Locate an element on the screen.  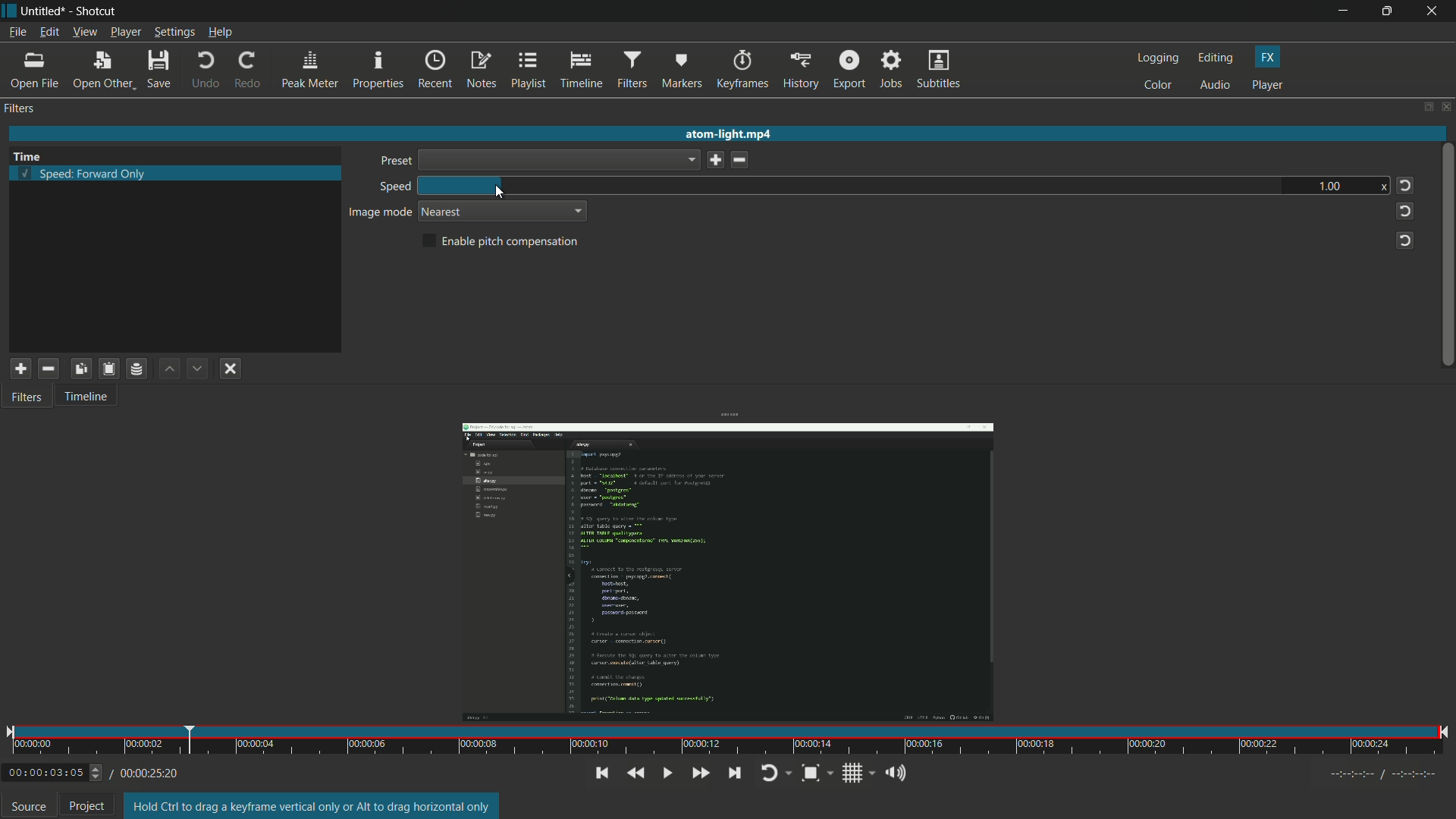
subtitles is located at coordinates (940, 71).